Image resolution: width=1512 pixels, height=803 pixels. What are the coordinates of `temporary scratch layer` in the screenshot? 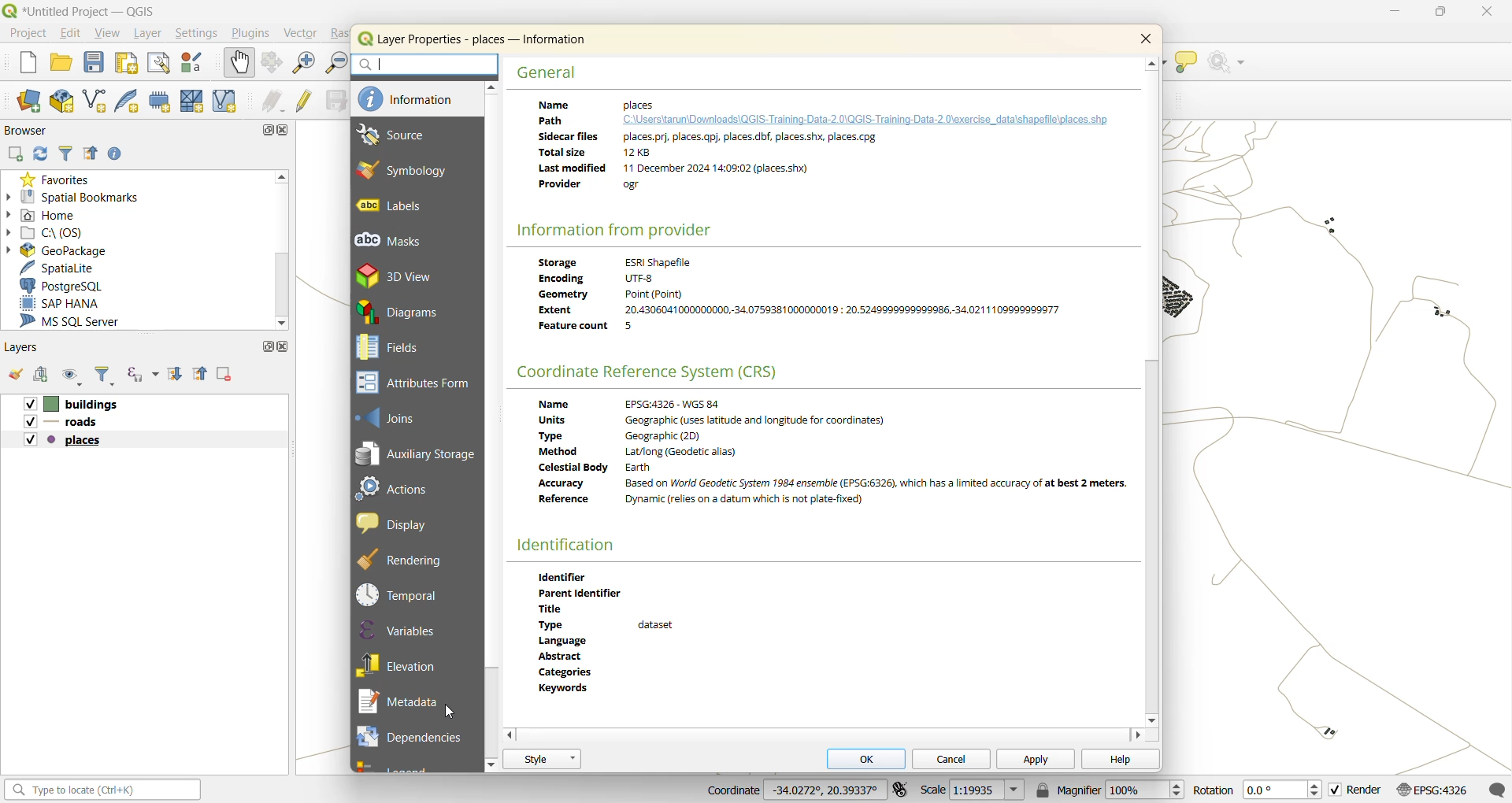 It's located at (161, 101).